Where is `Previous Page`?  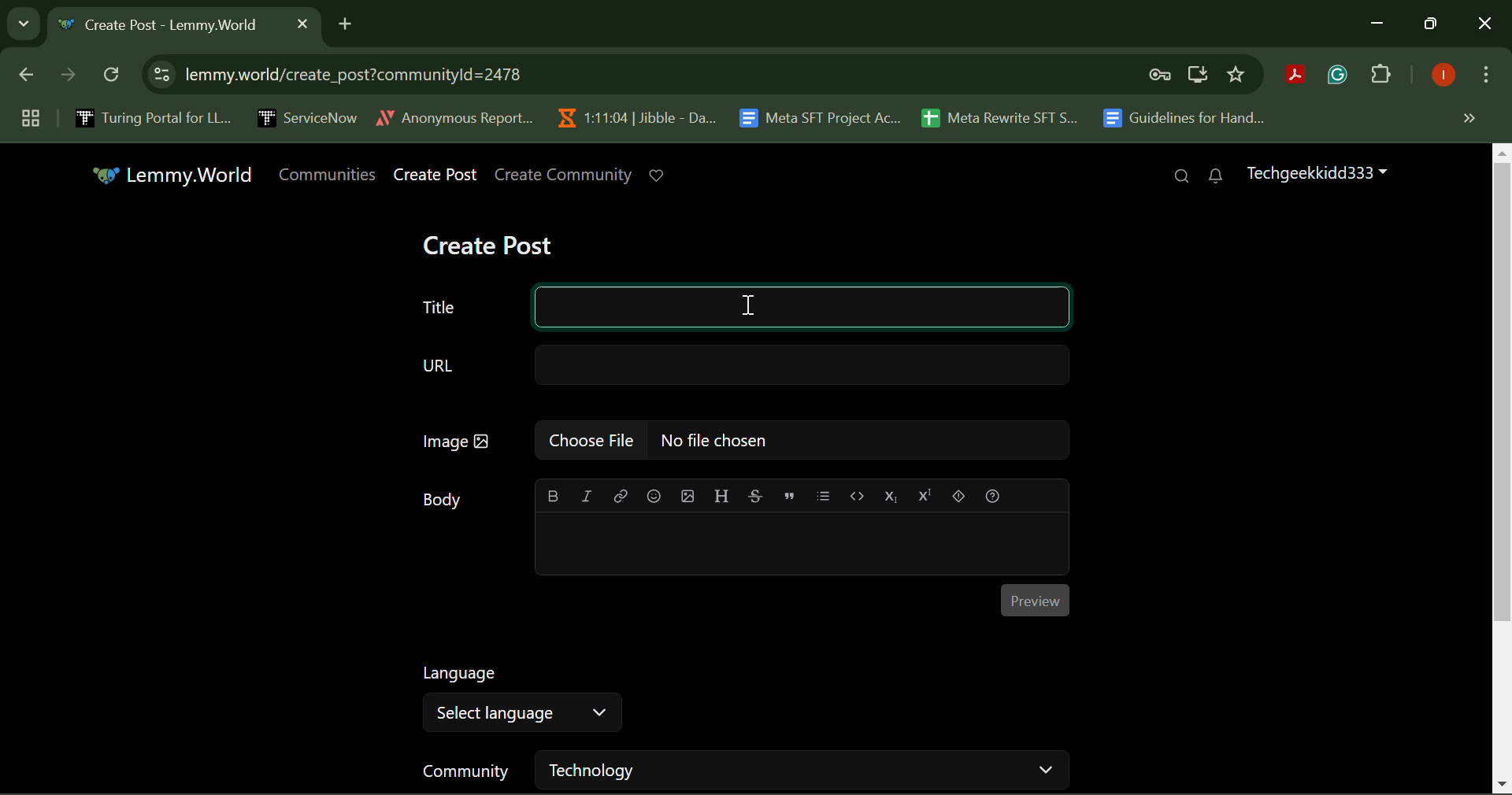 Previous Page is located at coordinates (29, 78).